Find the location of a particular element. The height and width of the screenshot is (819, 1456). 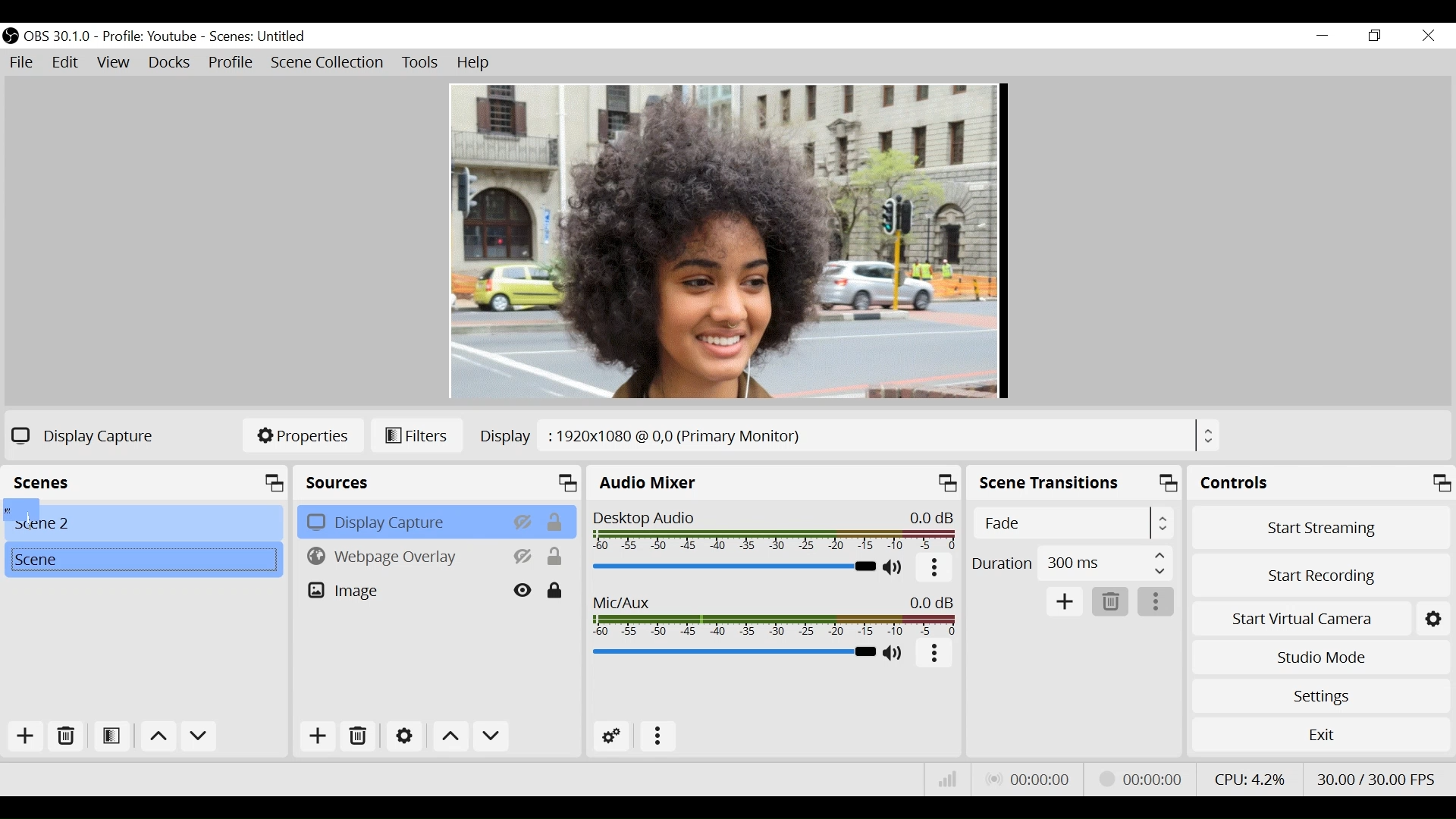

Scene Collection is located at coordinates (328, 63).